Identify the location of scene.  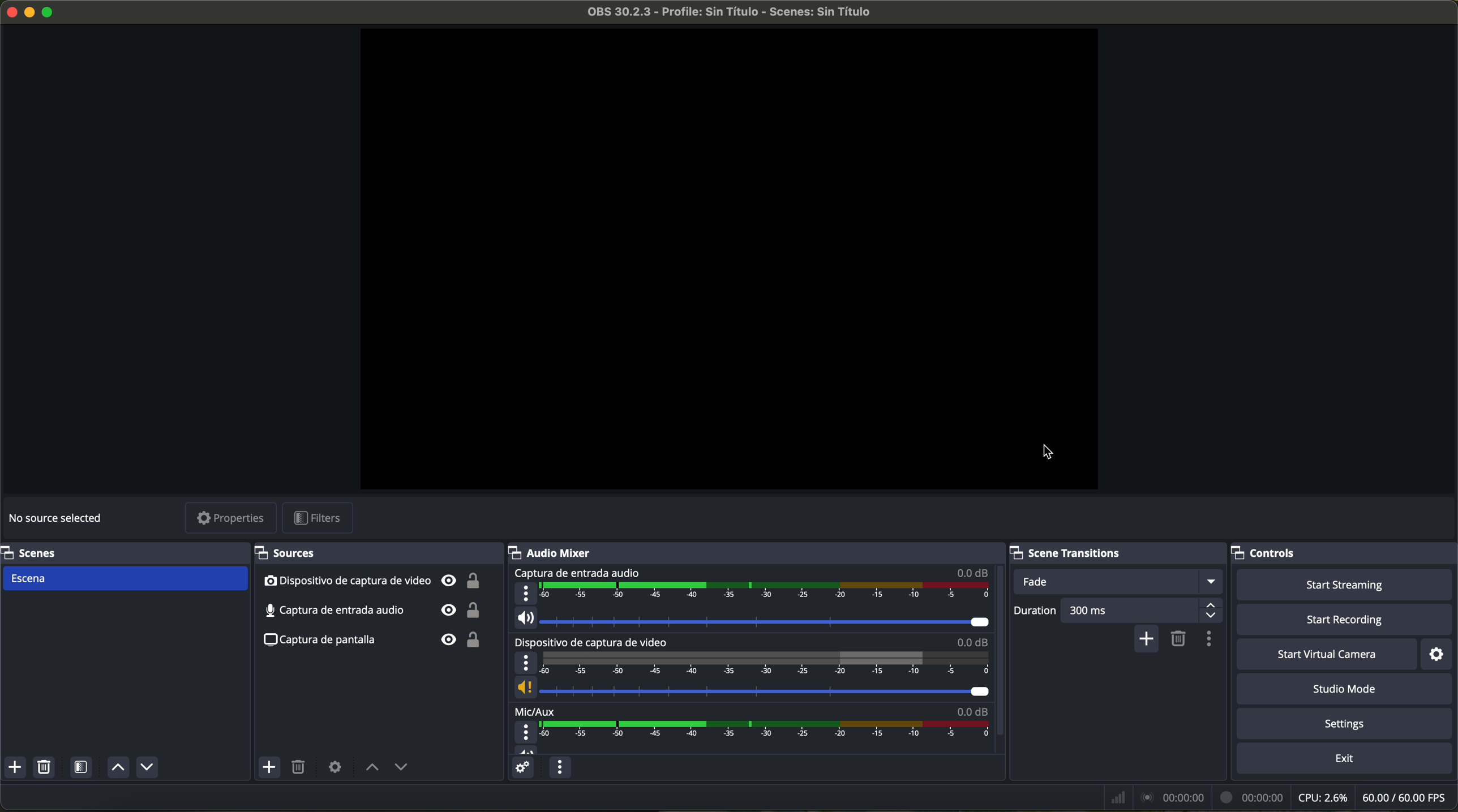
(126, 578).